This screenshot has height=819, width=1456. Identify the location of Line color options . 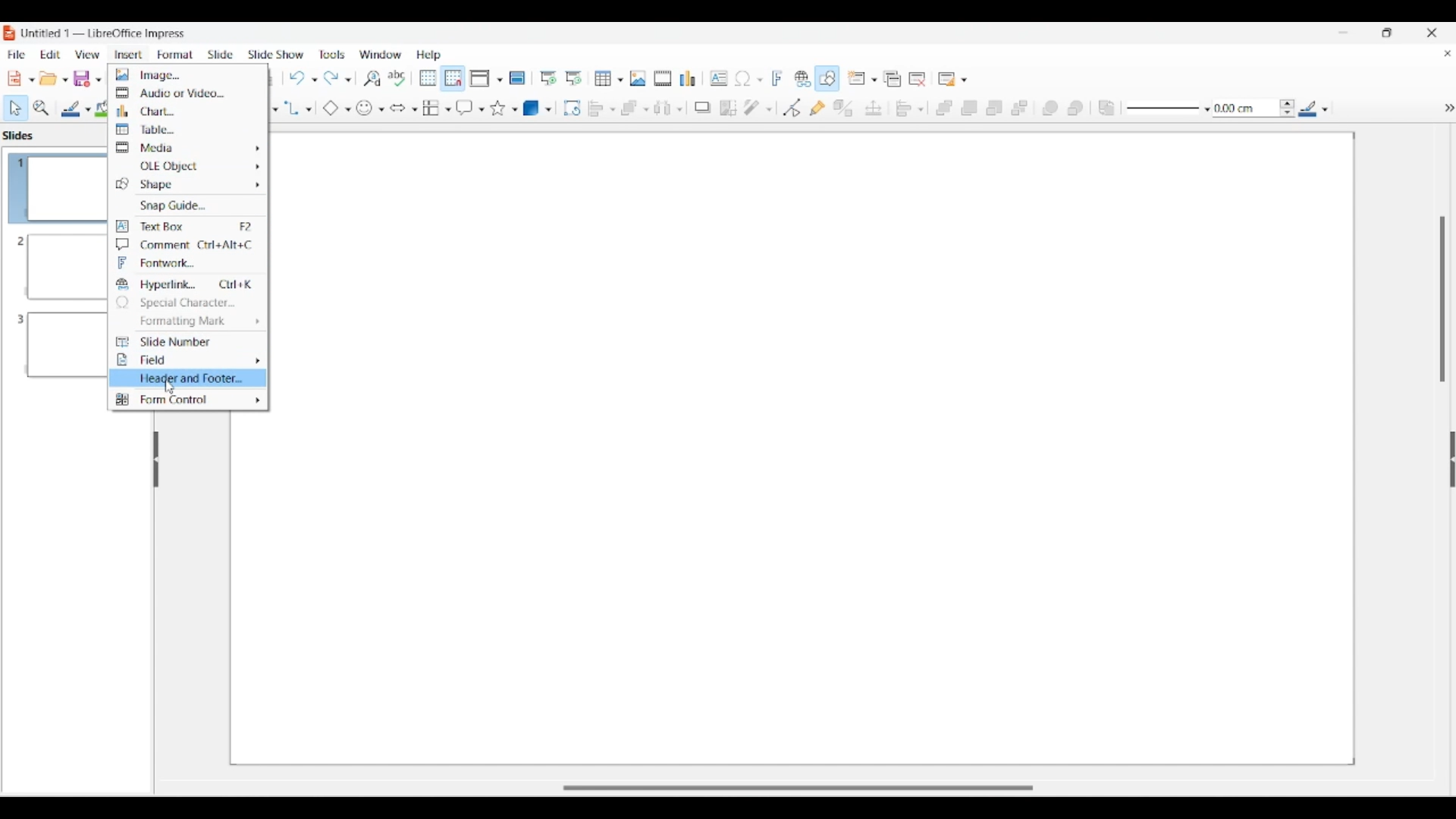
(76, 109).